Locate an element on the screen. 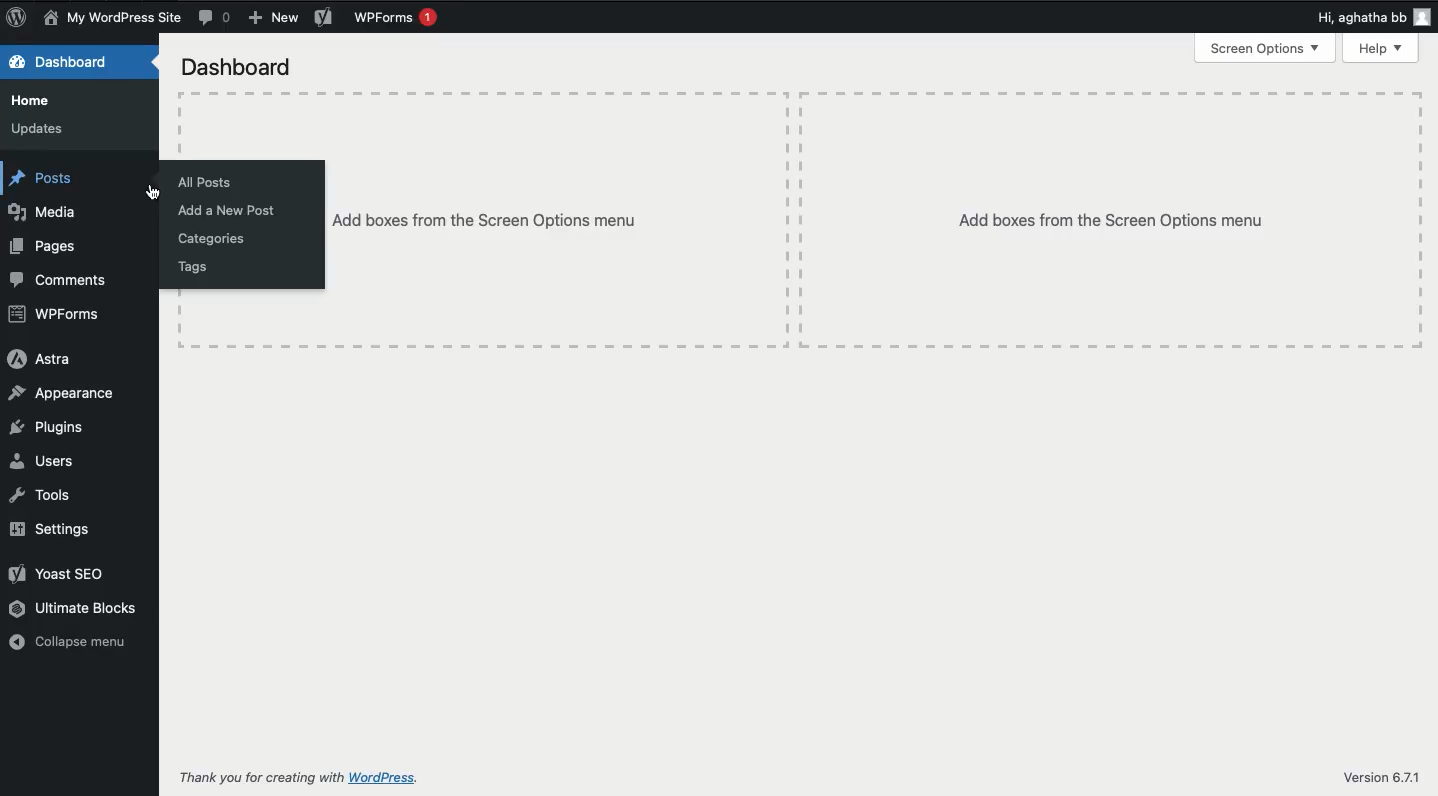 The height and width of the screenshot is (796, 1438). Media is located at coordinates (44, 213).